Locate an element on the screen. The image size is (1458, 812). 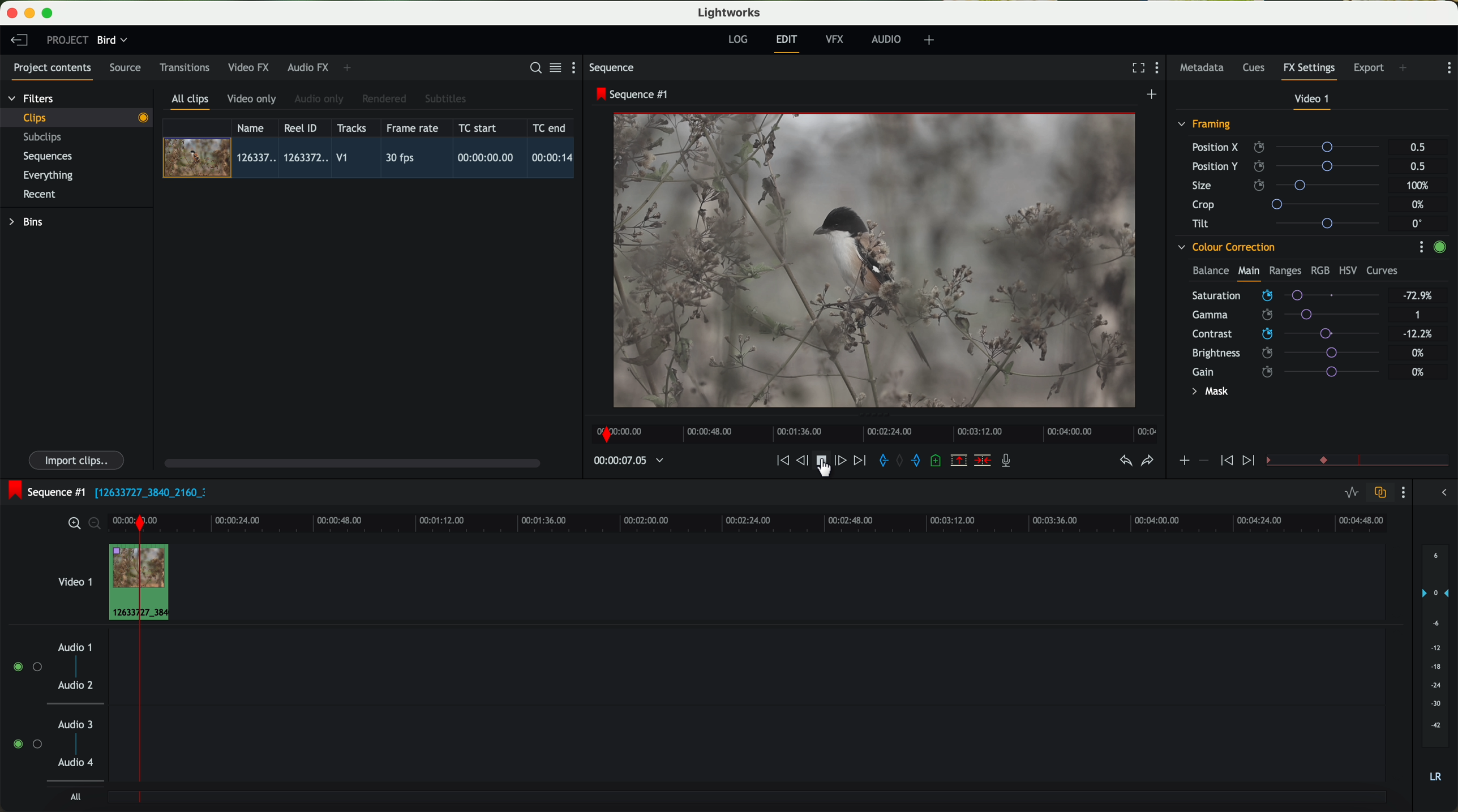
name is located at coordinates (255, 128).